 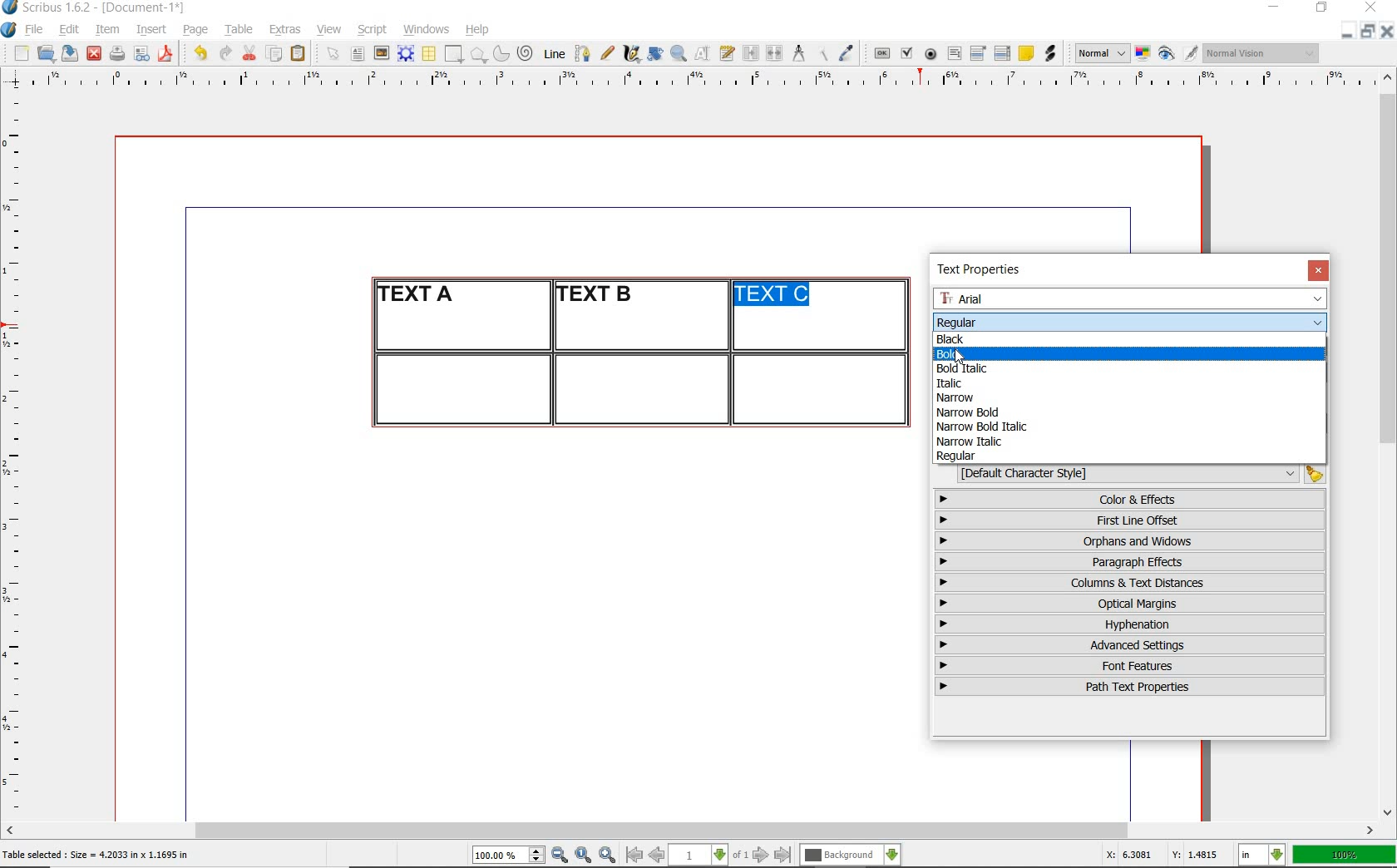 What do you see at coordinates (1178, 54) in the screenshot?
I see `preview mode` at bounding box center [1178, 54].